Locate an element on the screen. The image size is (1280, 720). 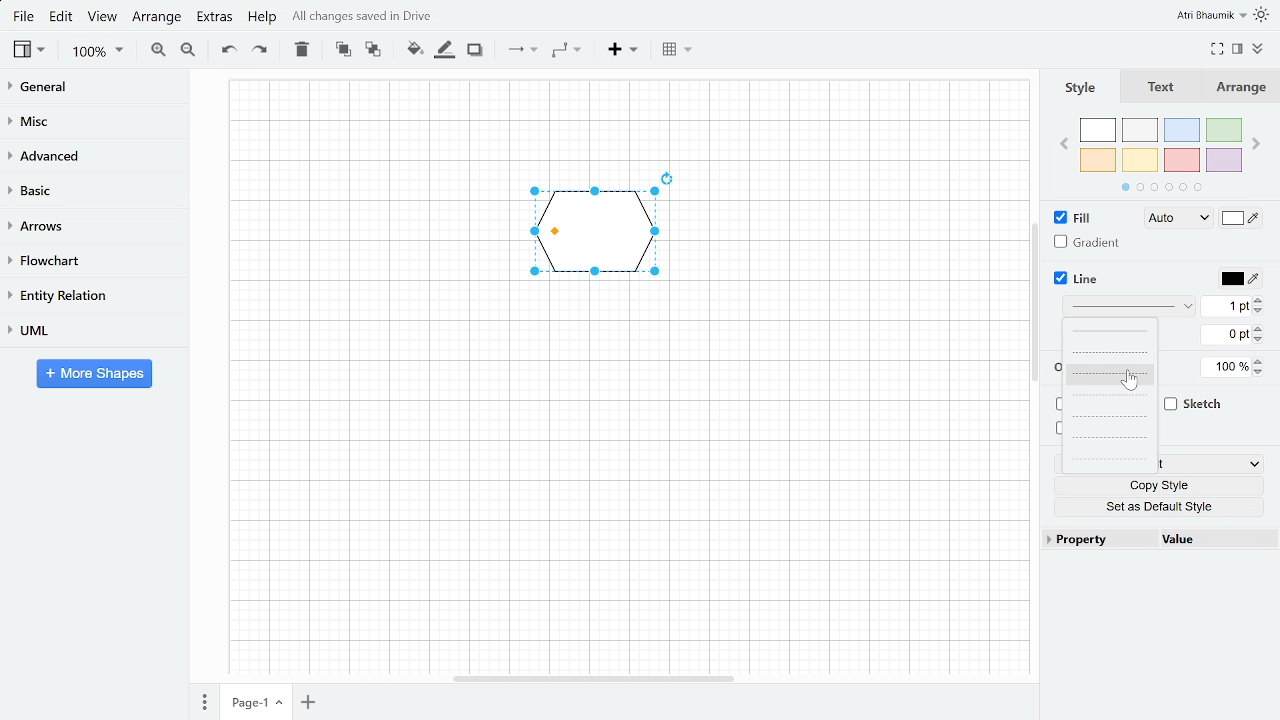
Property is located at coordinates (1101, 538).